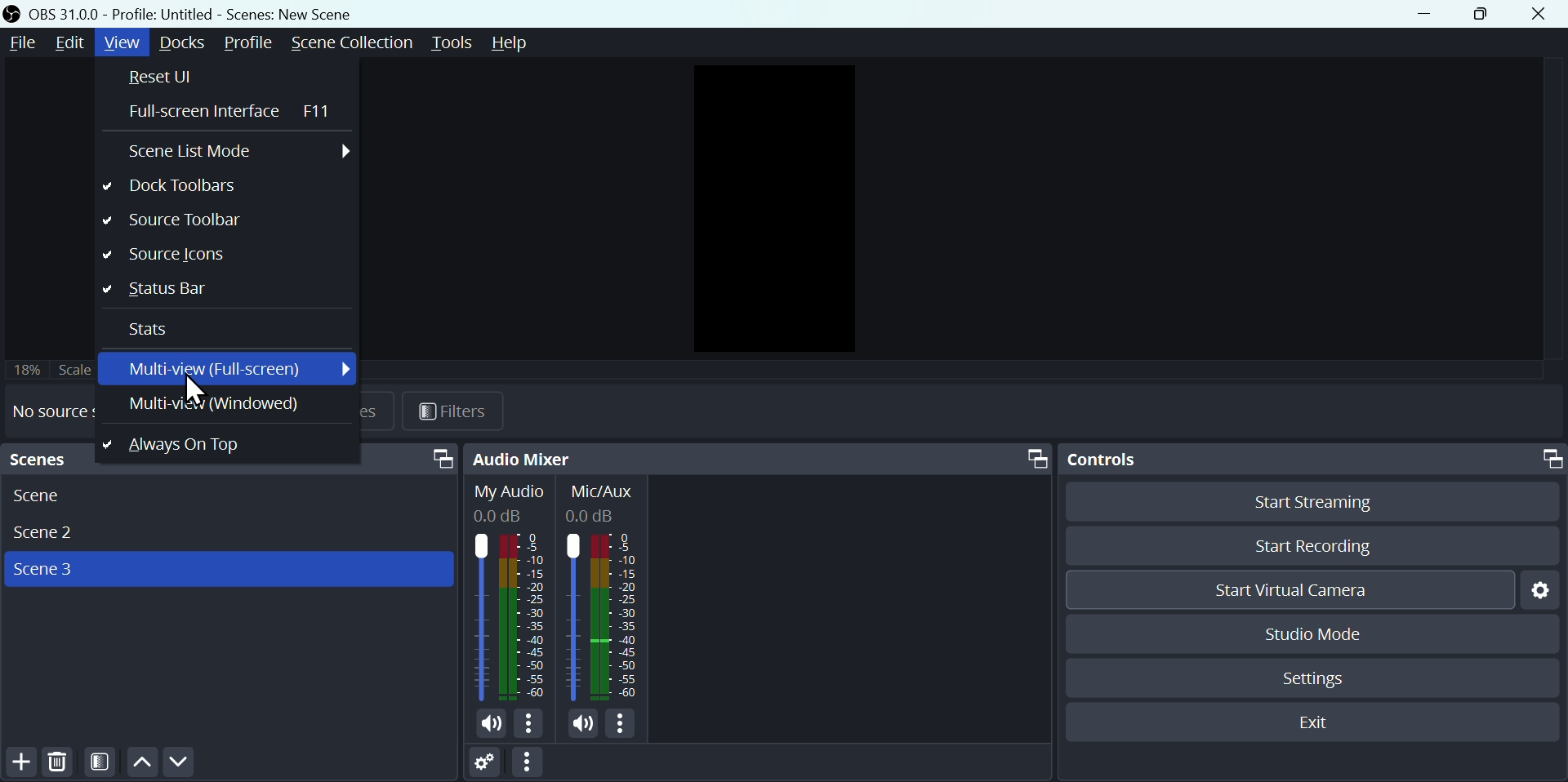 The image size is (1568, 782). What do you see at coordinates (489, 765) in the screenshot?
I see `Settings` at bounding box center [489, 765].